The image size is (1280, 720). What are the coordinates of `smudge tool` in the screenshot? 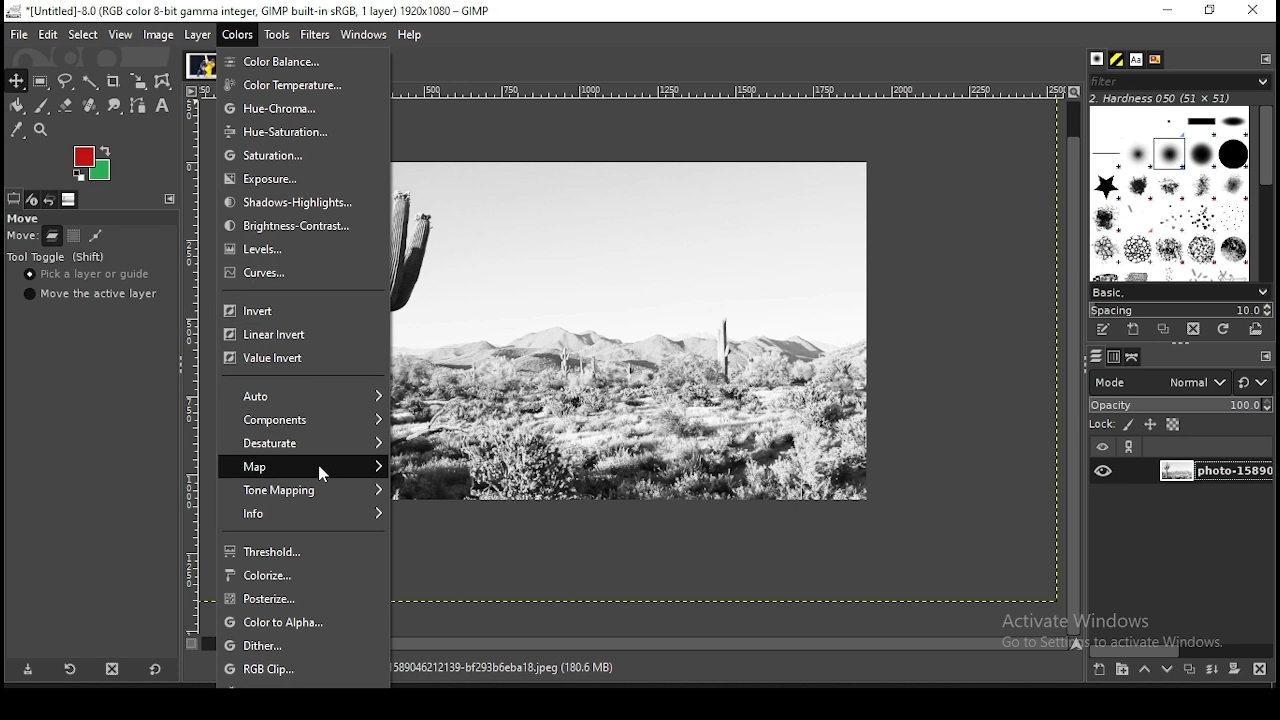 It's located at (115, 104).